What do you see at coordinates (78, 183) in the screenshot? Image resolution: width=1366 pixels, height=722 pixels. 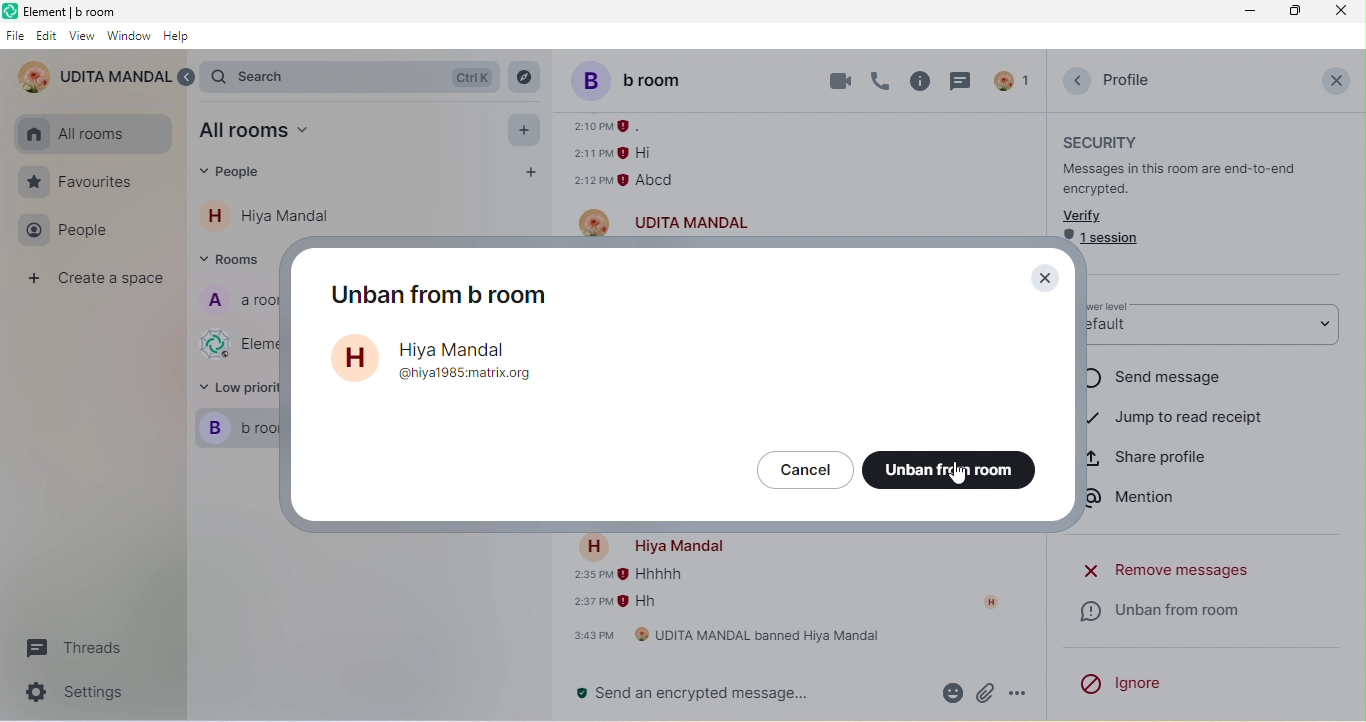 I see `favourites` at bounding box center [78, 183].